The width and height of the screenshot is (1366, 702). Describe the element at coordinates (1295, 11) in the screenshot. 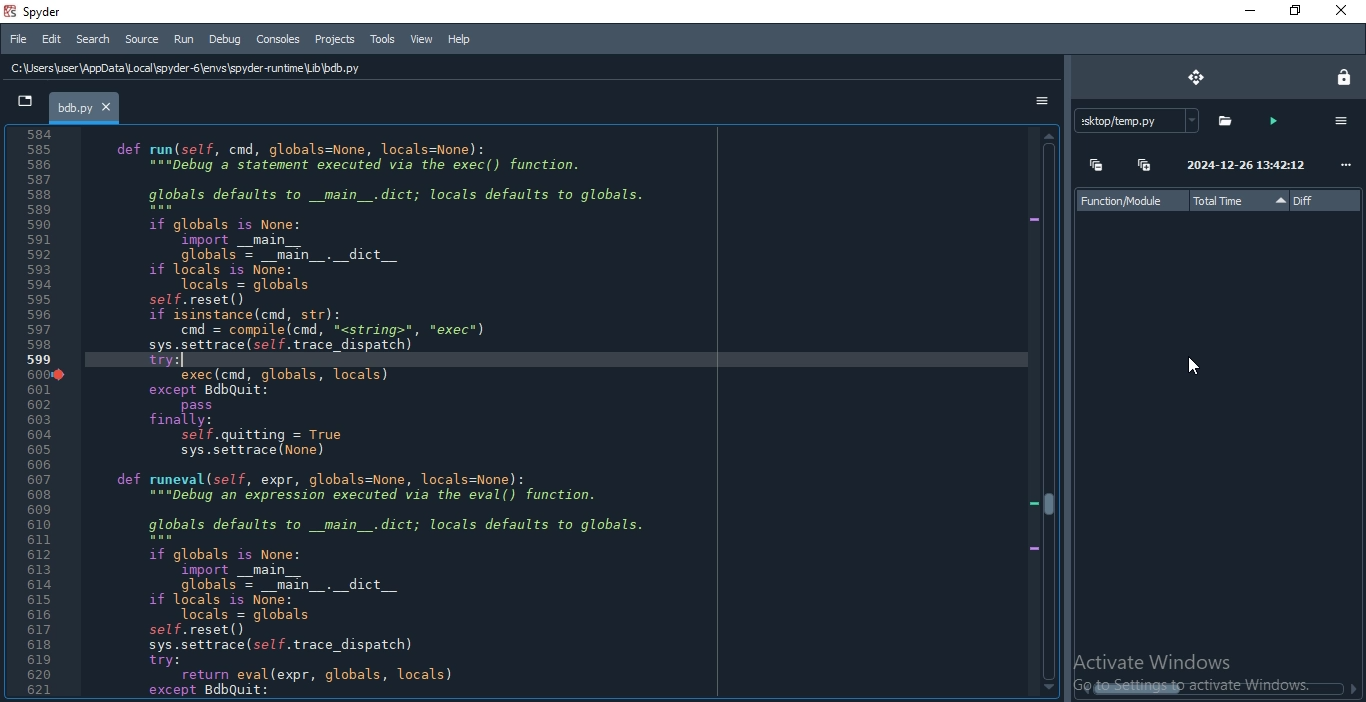

I see `Restore` at that location.